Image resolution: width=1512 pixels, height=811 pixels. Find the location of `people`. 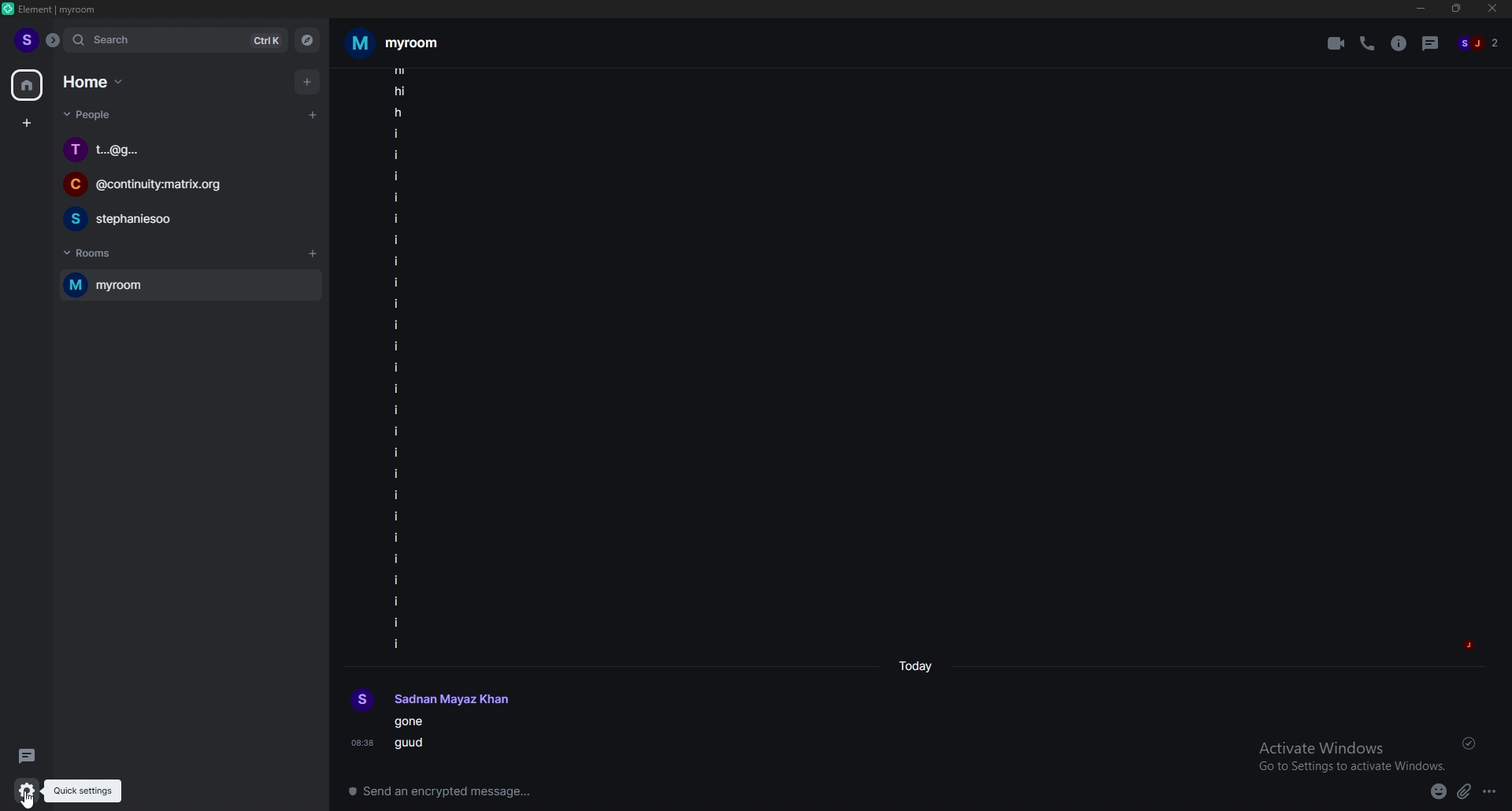

people is located at coordinates (1480, 44).